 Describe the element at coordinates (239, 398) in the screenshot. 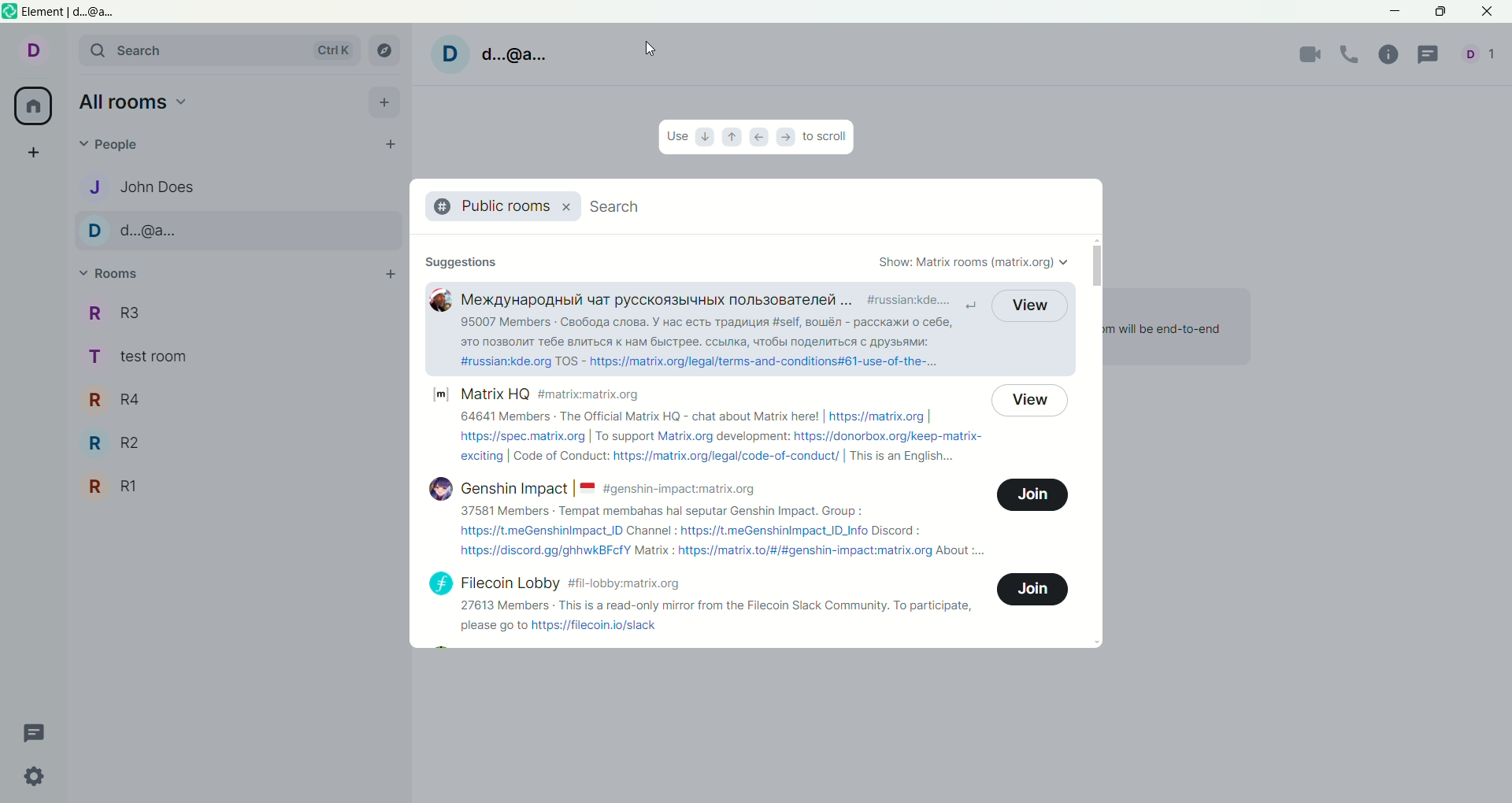

I see `R4` at that location.